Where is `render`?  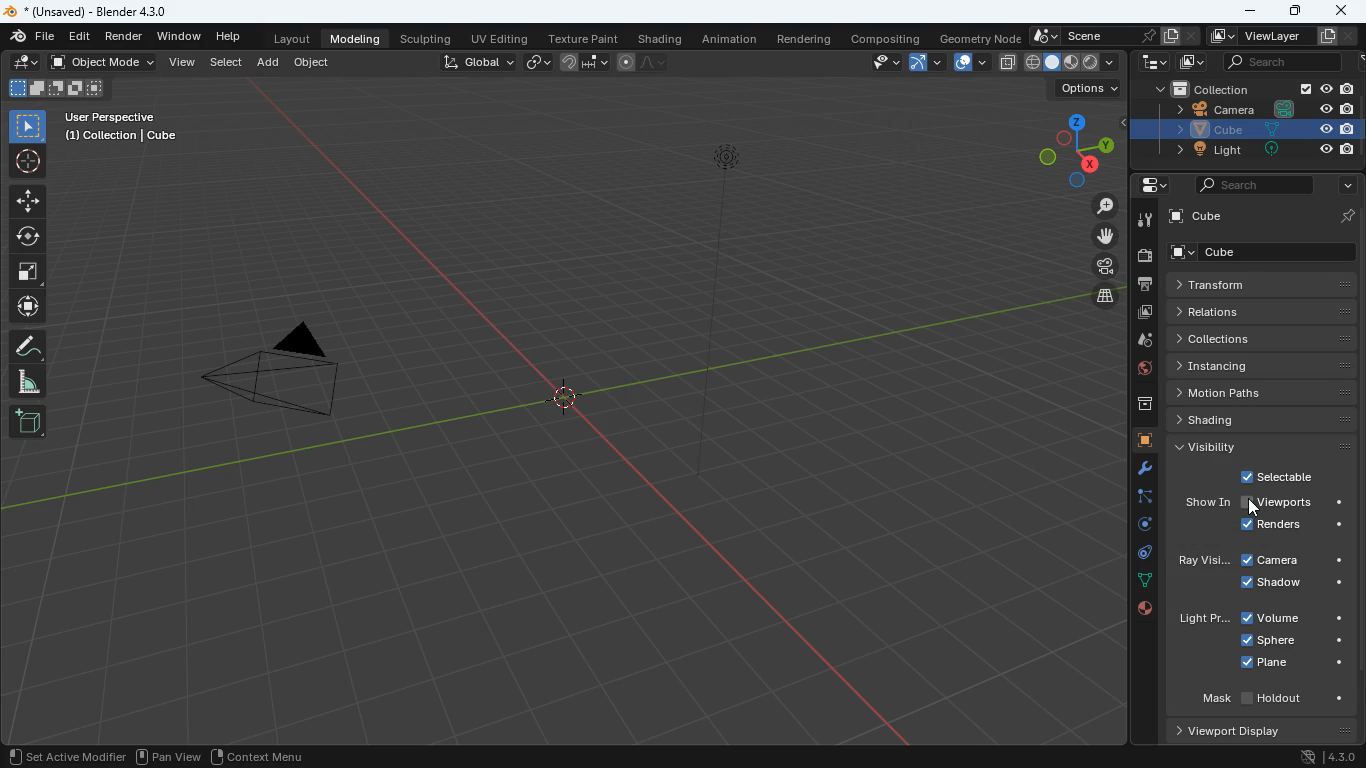
render is located at coordinates (125, 36).